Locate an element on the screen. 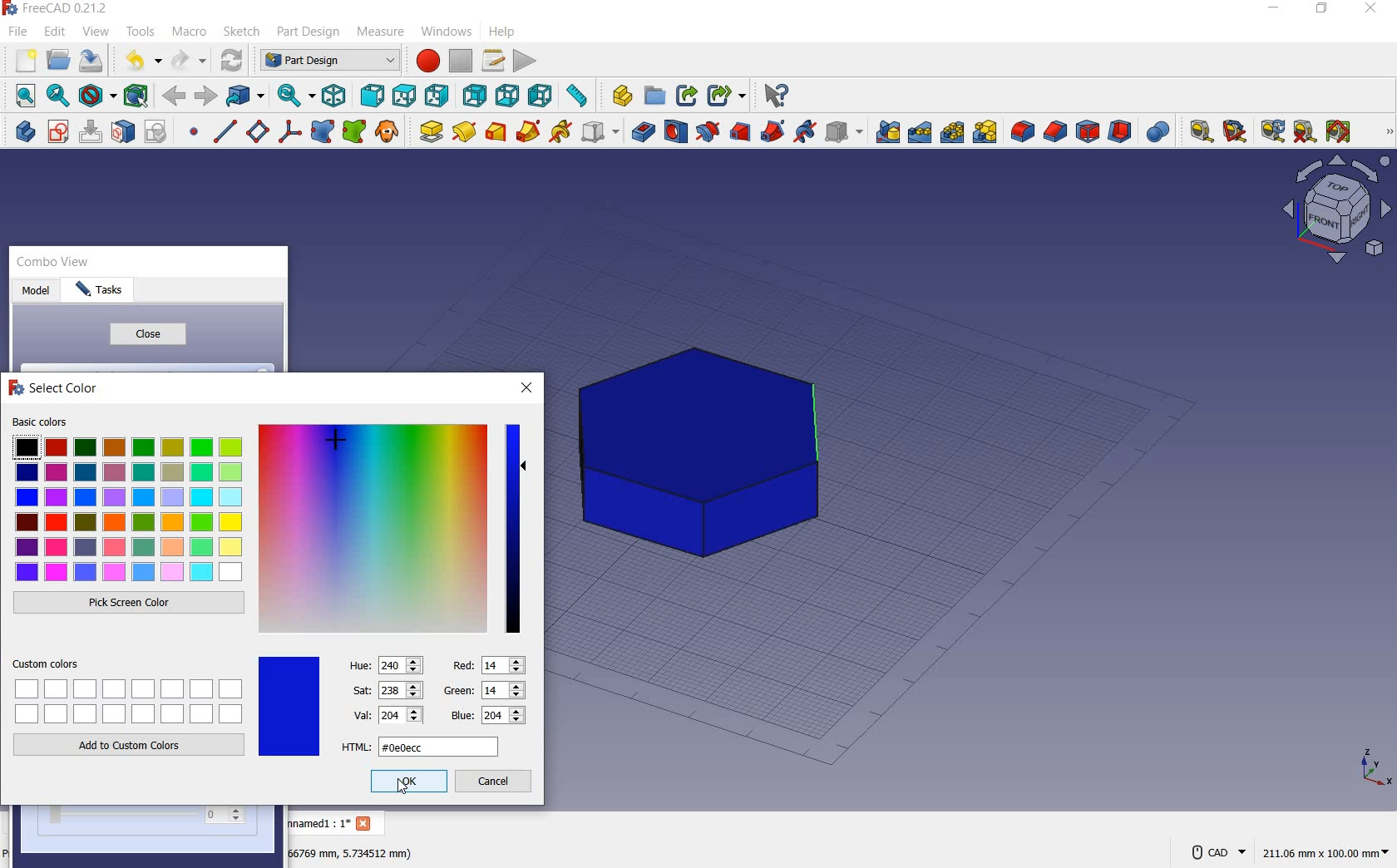 The height and width of the screenshot is (868, 1397). select color is located at coordinates (54, 391).